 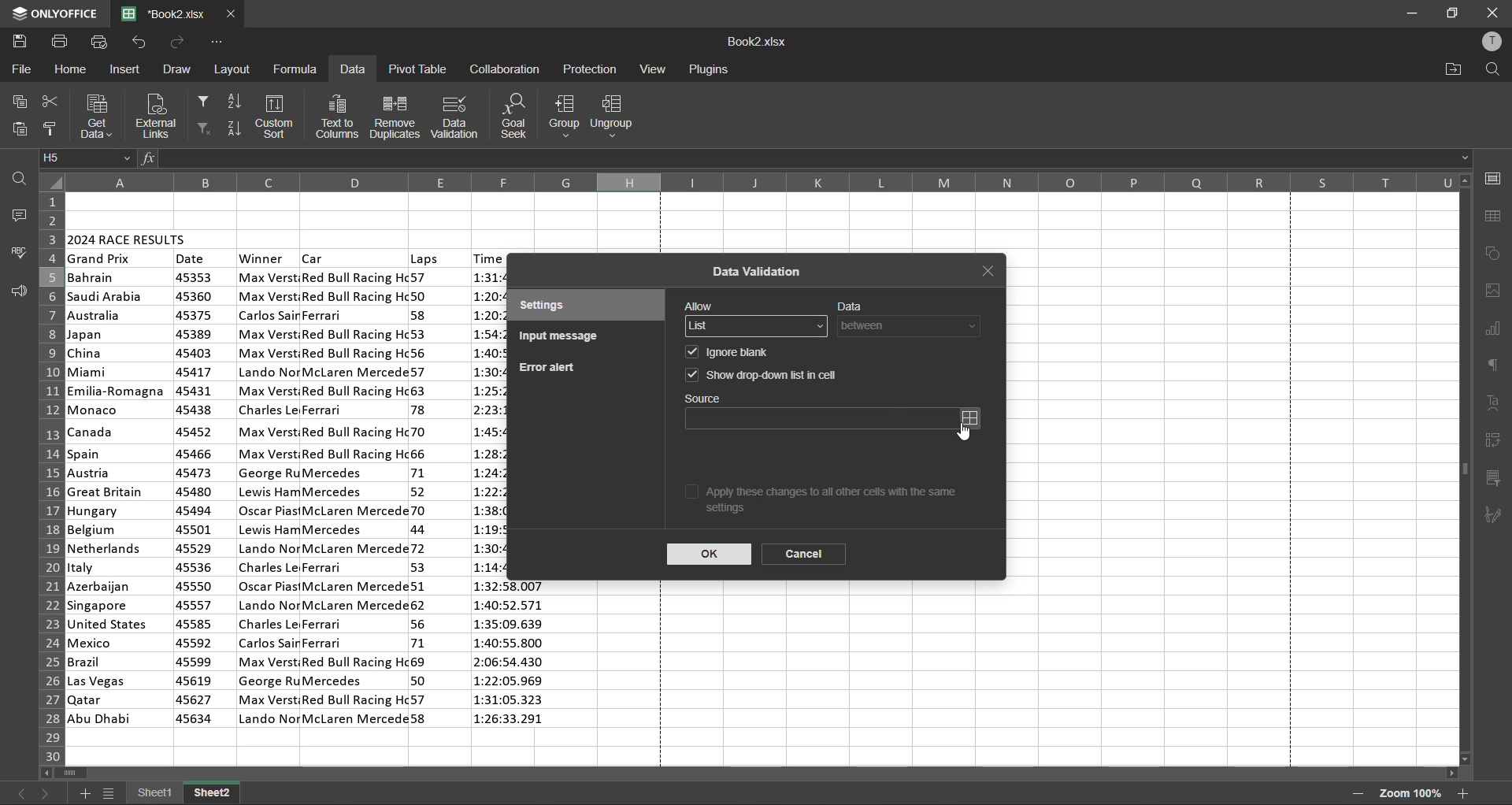 I want to click on ungroup, so click(x=619, y=117).